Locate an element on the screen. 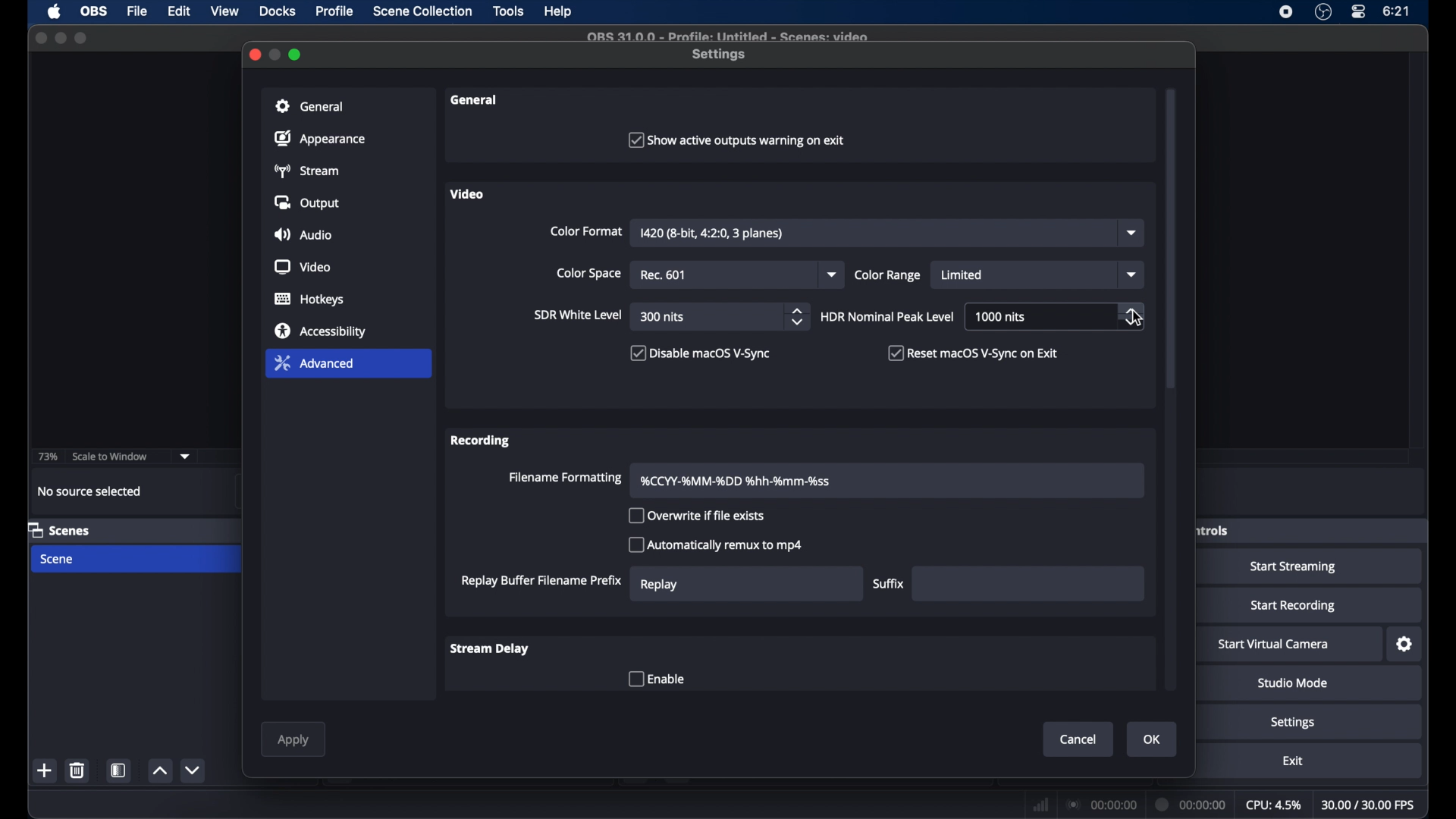 The width and height of the screenshot is (1456, 819). advanced is located at coordinates (314, 362).